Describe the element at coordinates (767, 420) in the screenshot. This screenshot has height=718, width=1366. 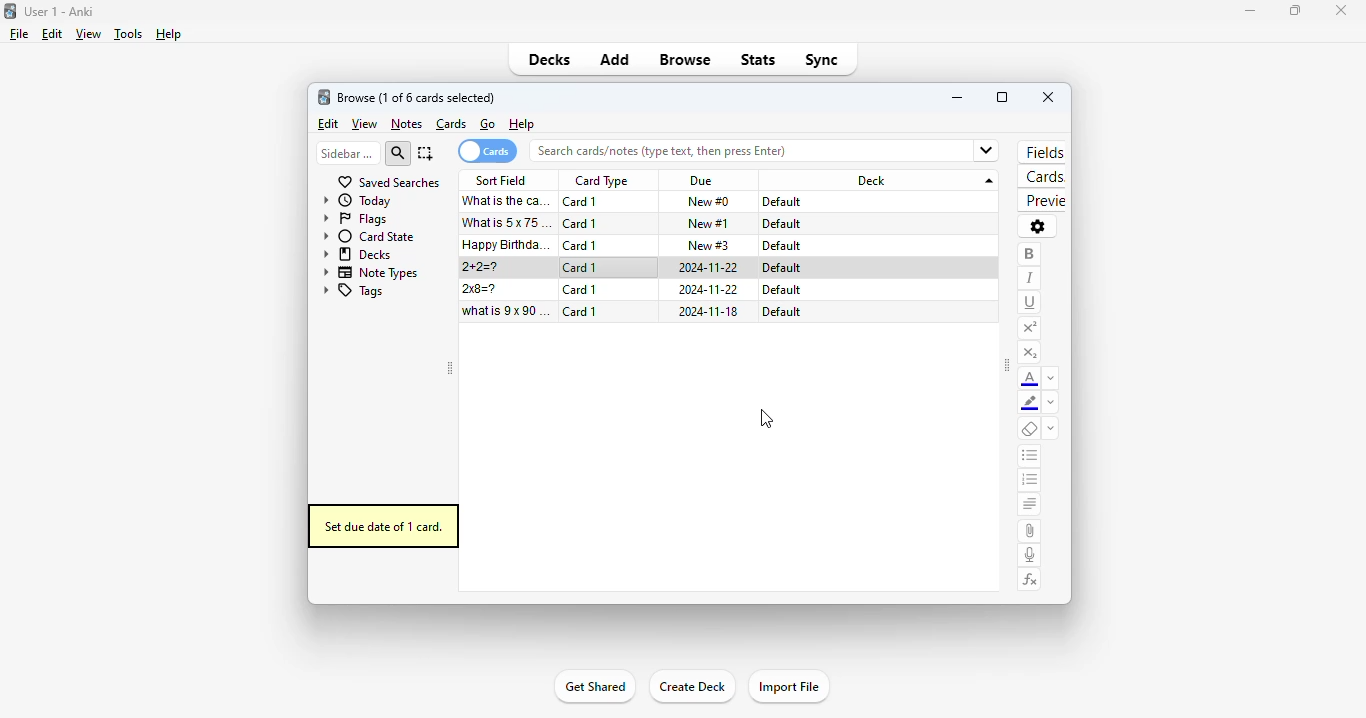
I see `cursor` at that location.